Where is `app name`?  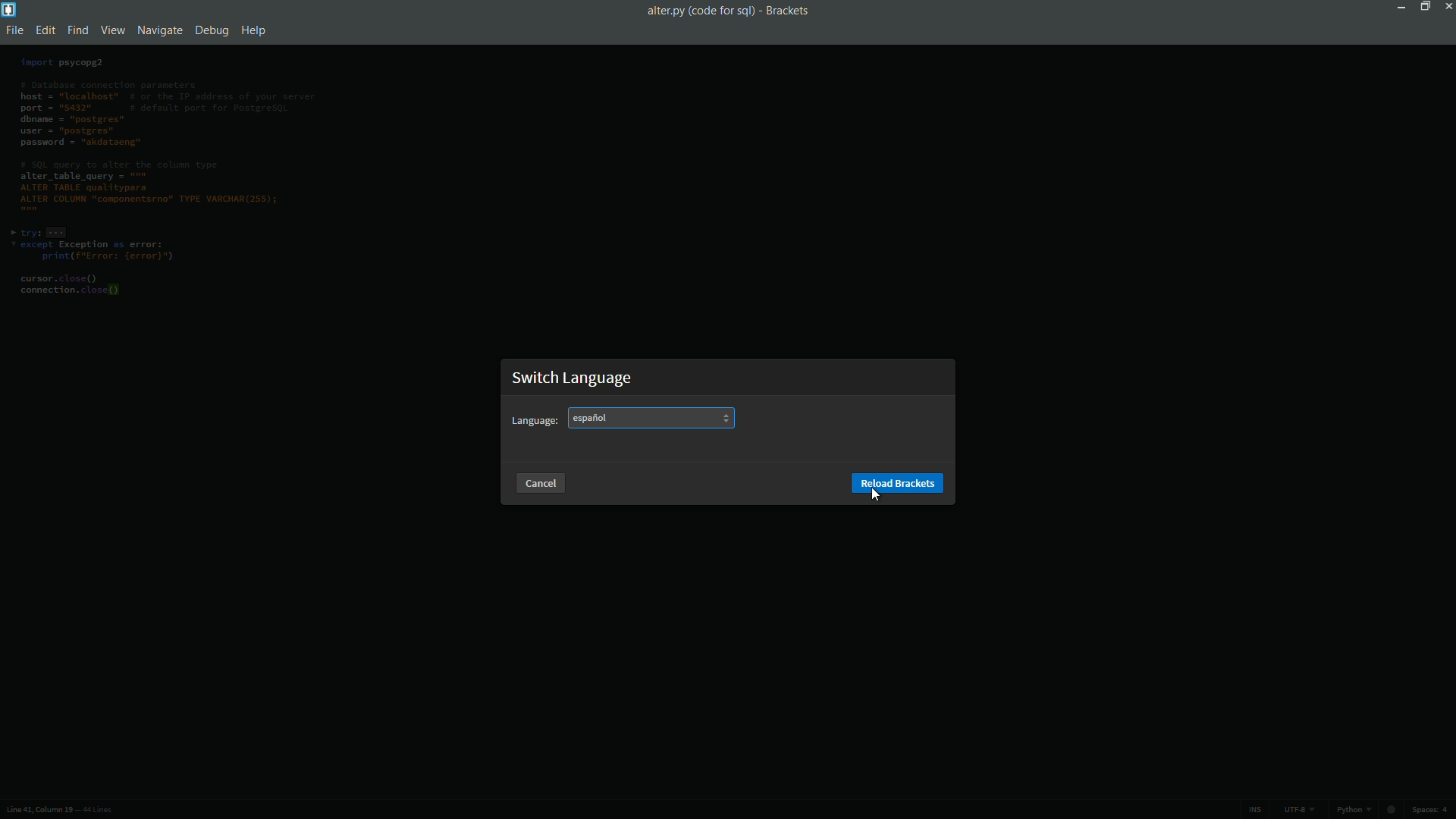
app name is located at coordinates (790, 11).